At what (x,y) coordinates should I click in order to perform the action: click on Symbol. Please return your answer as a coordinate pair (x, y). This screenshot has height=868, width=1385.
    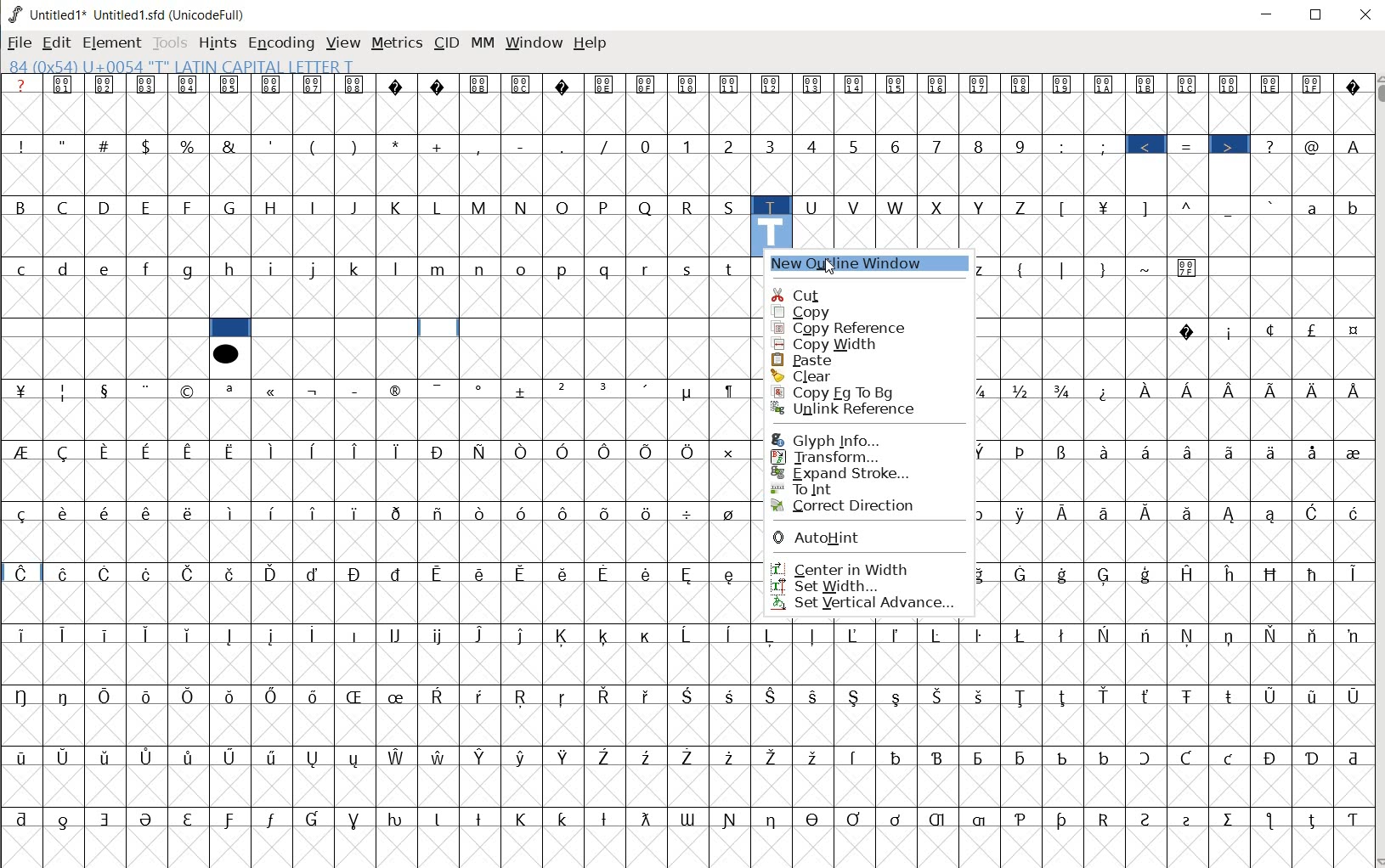
    Looking at the image, I should click on (1104, 757).